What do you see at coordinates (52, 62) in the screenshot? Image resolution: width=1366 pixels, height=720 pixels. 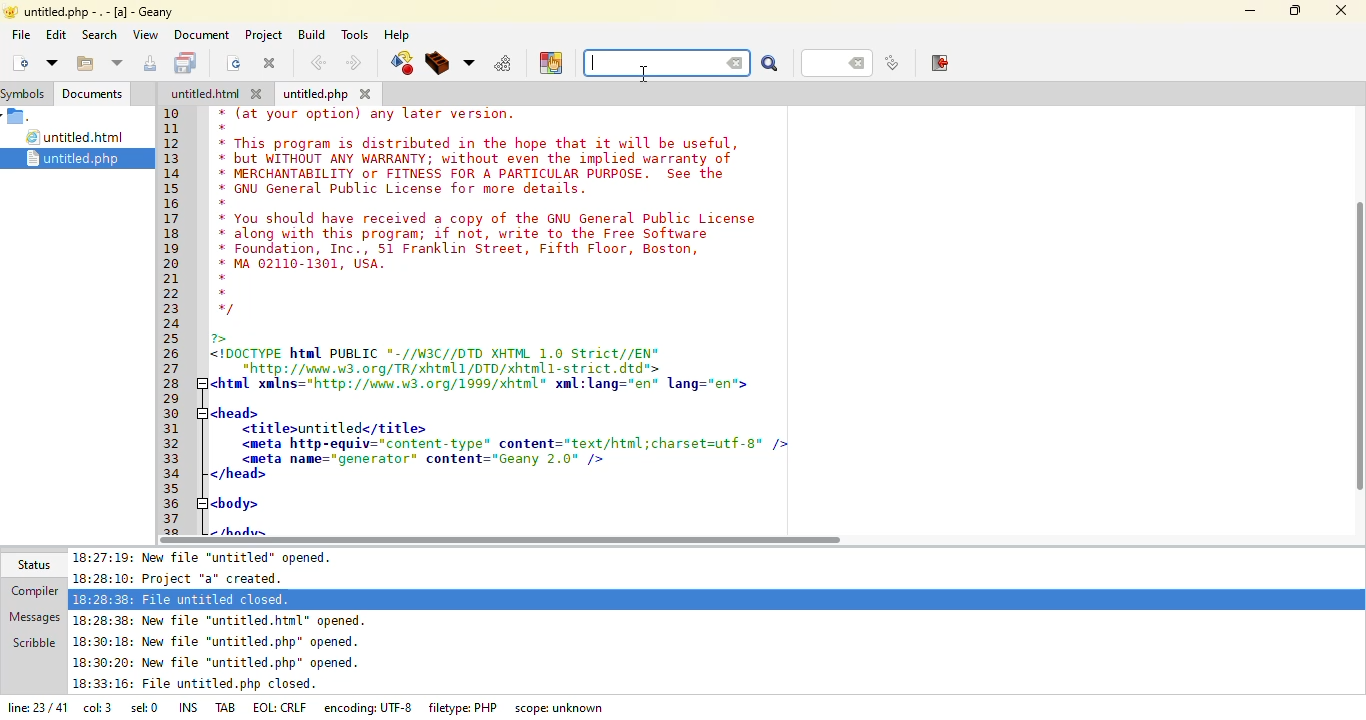 I see `open from templates` at bounding box center [52, 62].